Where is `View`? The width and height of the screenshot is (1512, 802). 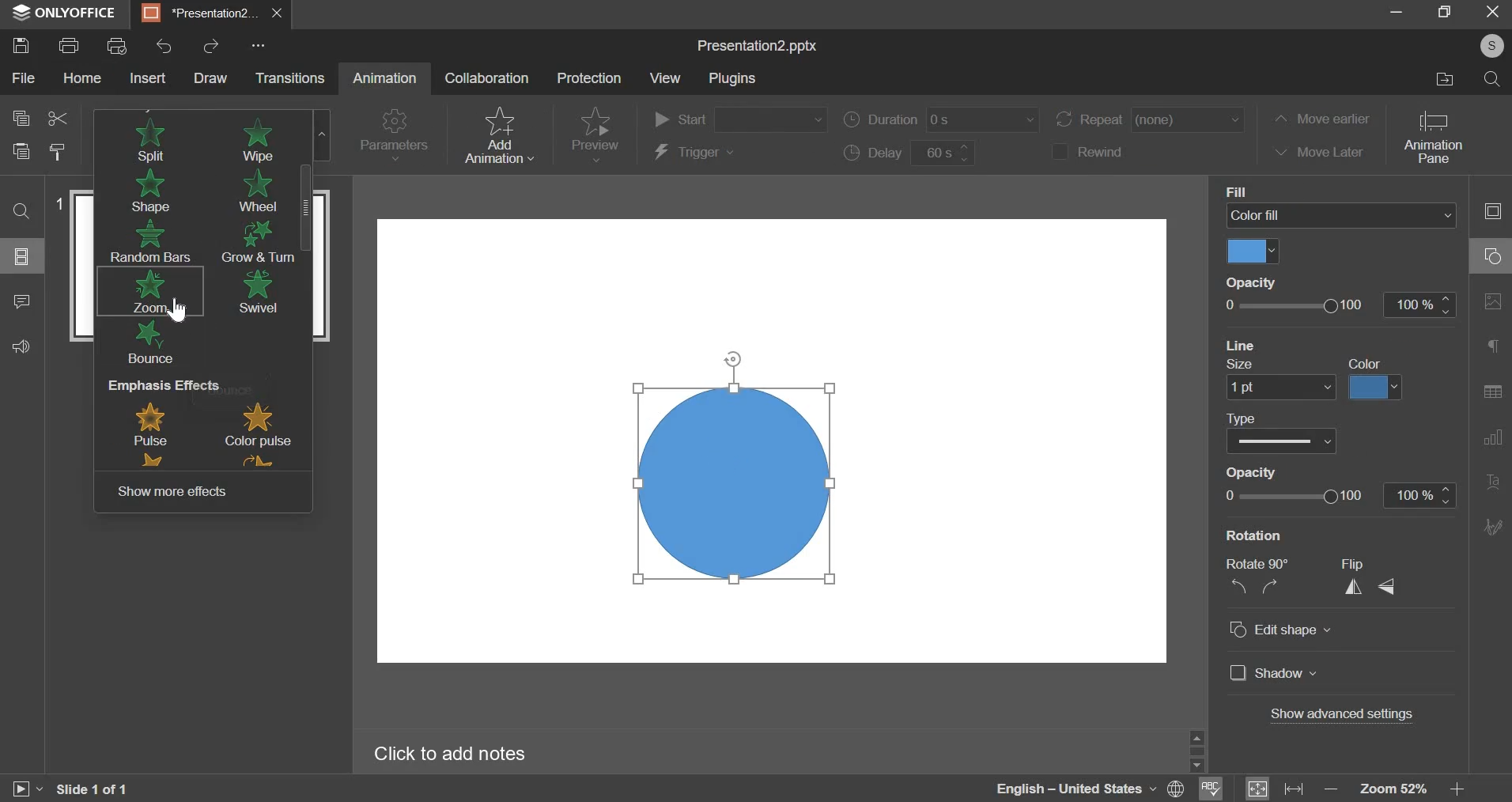 View is located at coordinates (667, 81).